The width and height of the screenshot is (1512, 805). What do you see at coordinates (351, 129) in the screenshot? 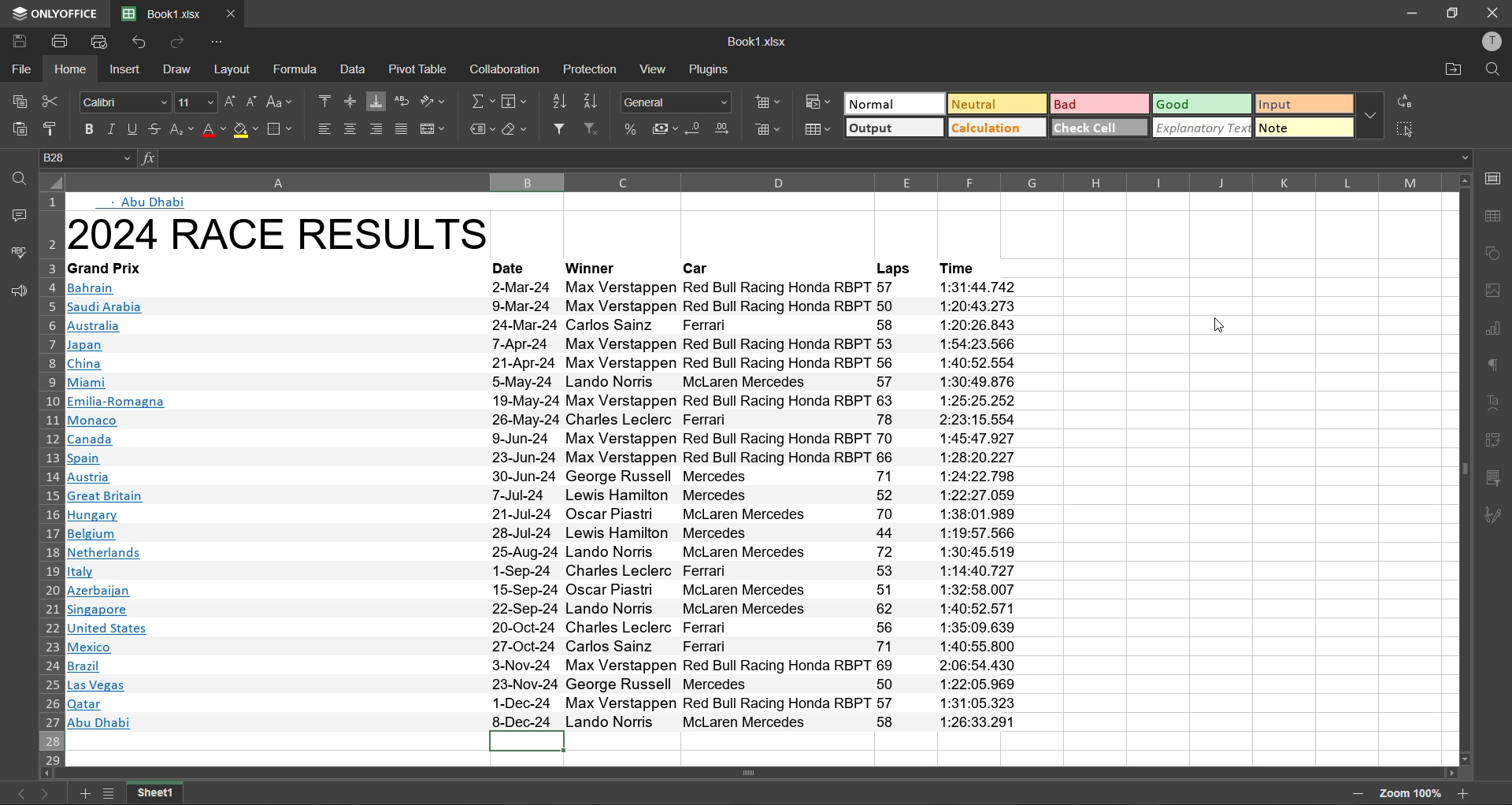
I see `align center` at bounding box center [351, 129].